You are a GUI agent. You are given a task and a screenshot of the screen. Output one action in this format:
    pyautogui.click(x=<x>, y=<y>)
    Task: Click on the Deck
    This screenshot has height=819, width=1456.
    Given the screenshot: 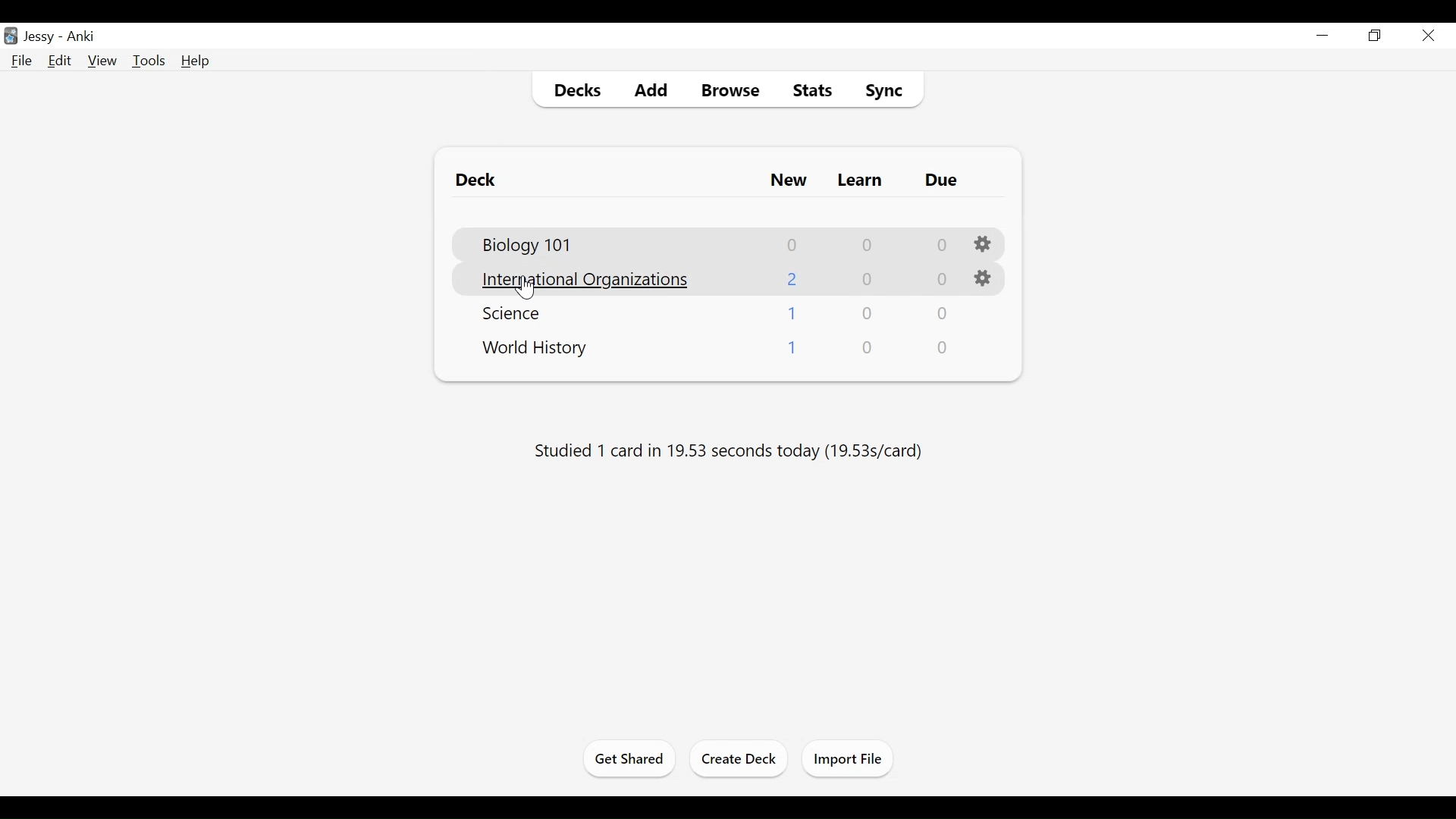 What is the action you would take?
    pyautogui.click(x=475, y=179)
    